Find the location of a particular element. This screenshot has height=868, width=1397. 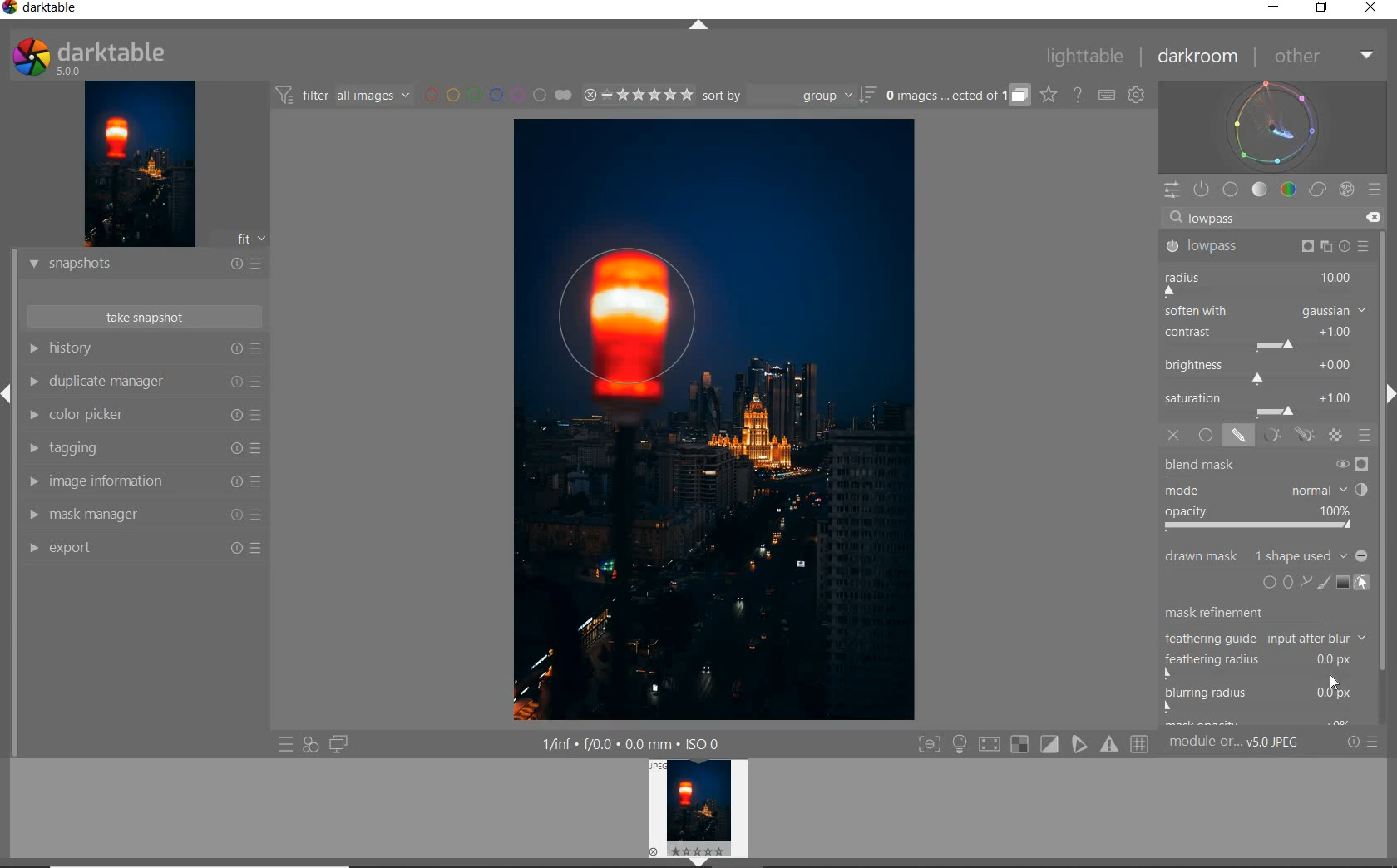

COLOR is located at coordinates (1288, 190).